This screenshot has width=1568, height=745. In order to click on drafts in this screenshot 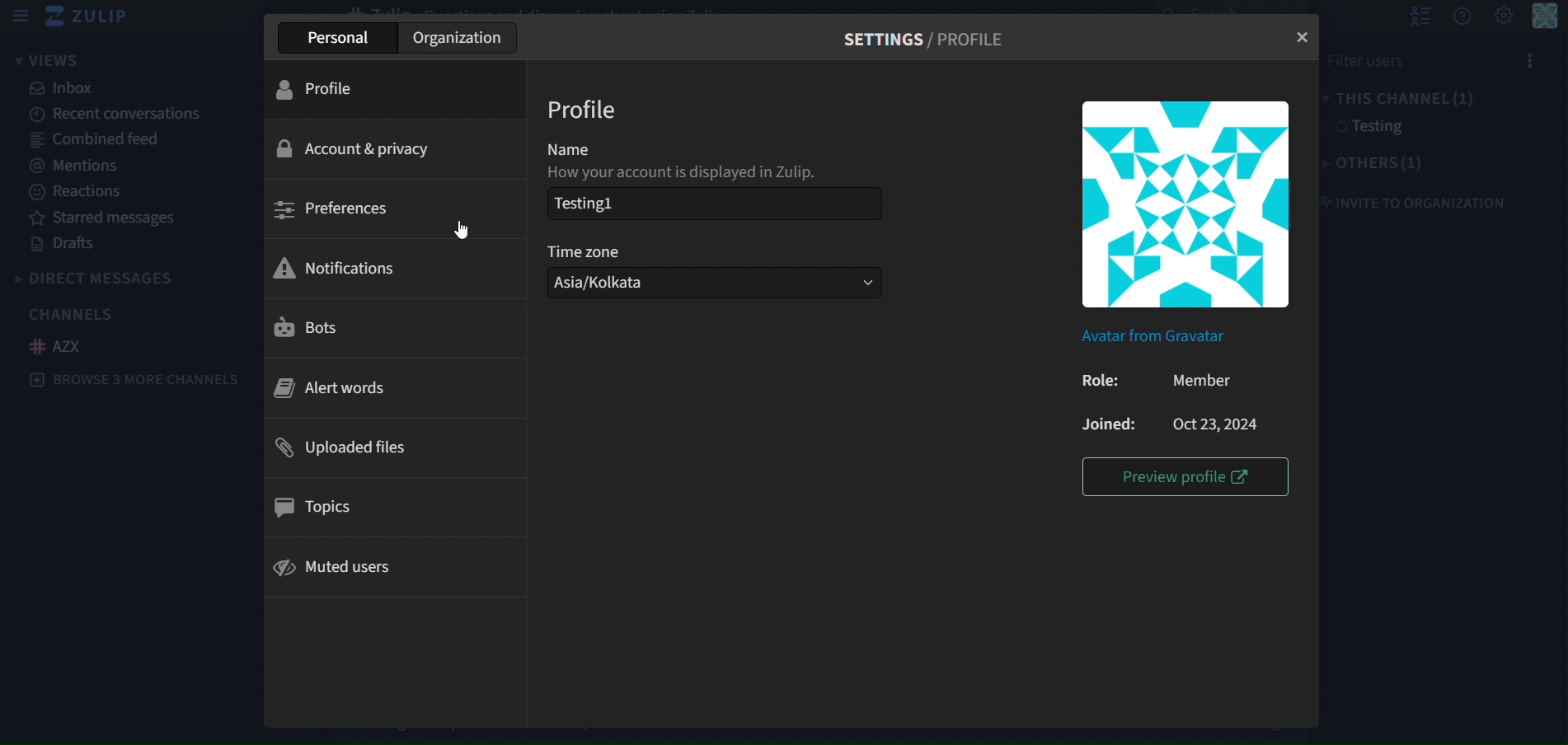, I will do `click(61, 244)`.